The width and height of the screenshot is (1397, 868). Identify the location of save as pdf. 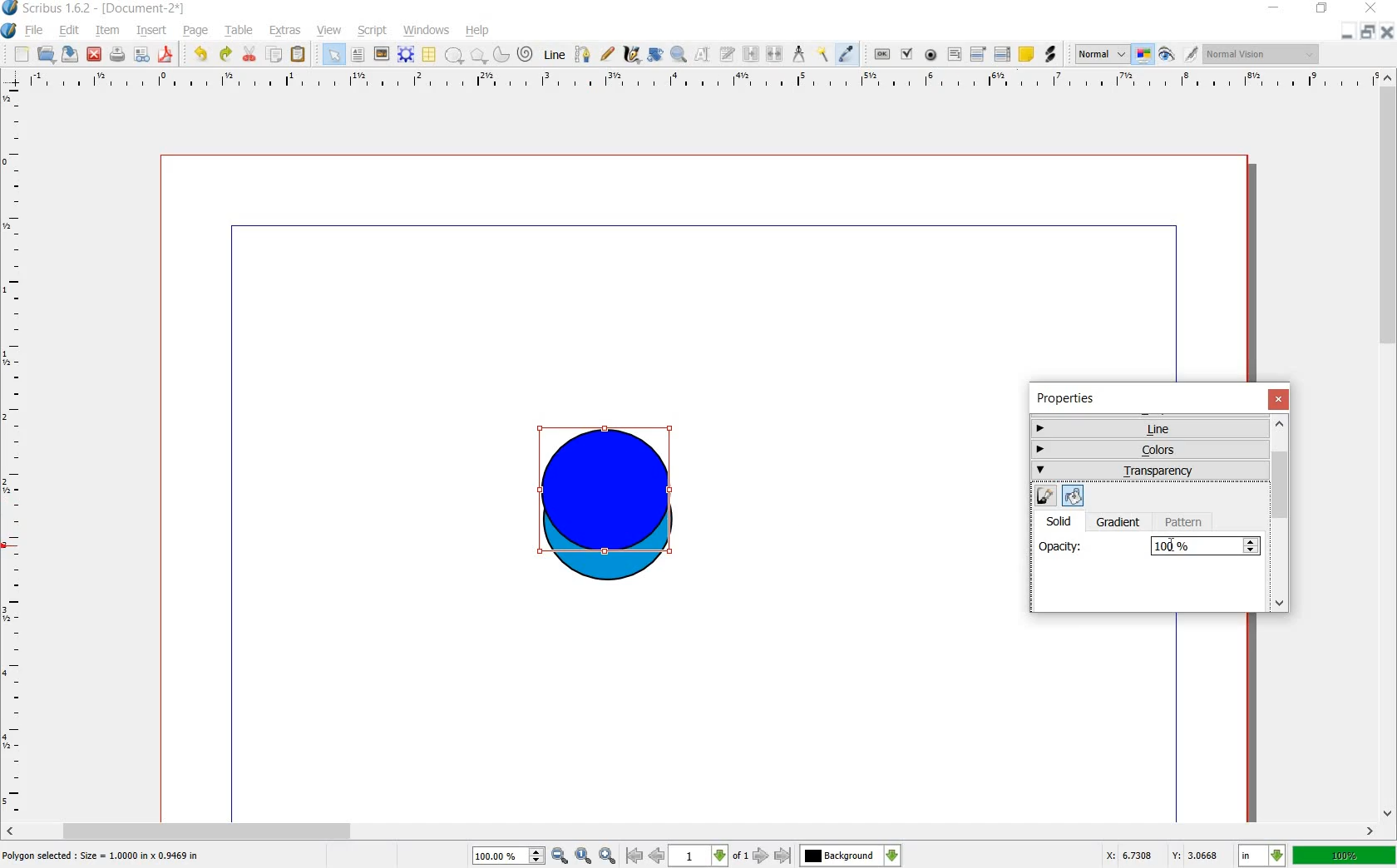
(165, 55).